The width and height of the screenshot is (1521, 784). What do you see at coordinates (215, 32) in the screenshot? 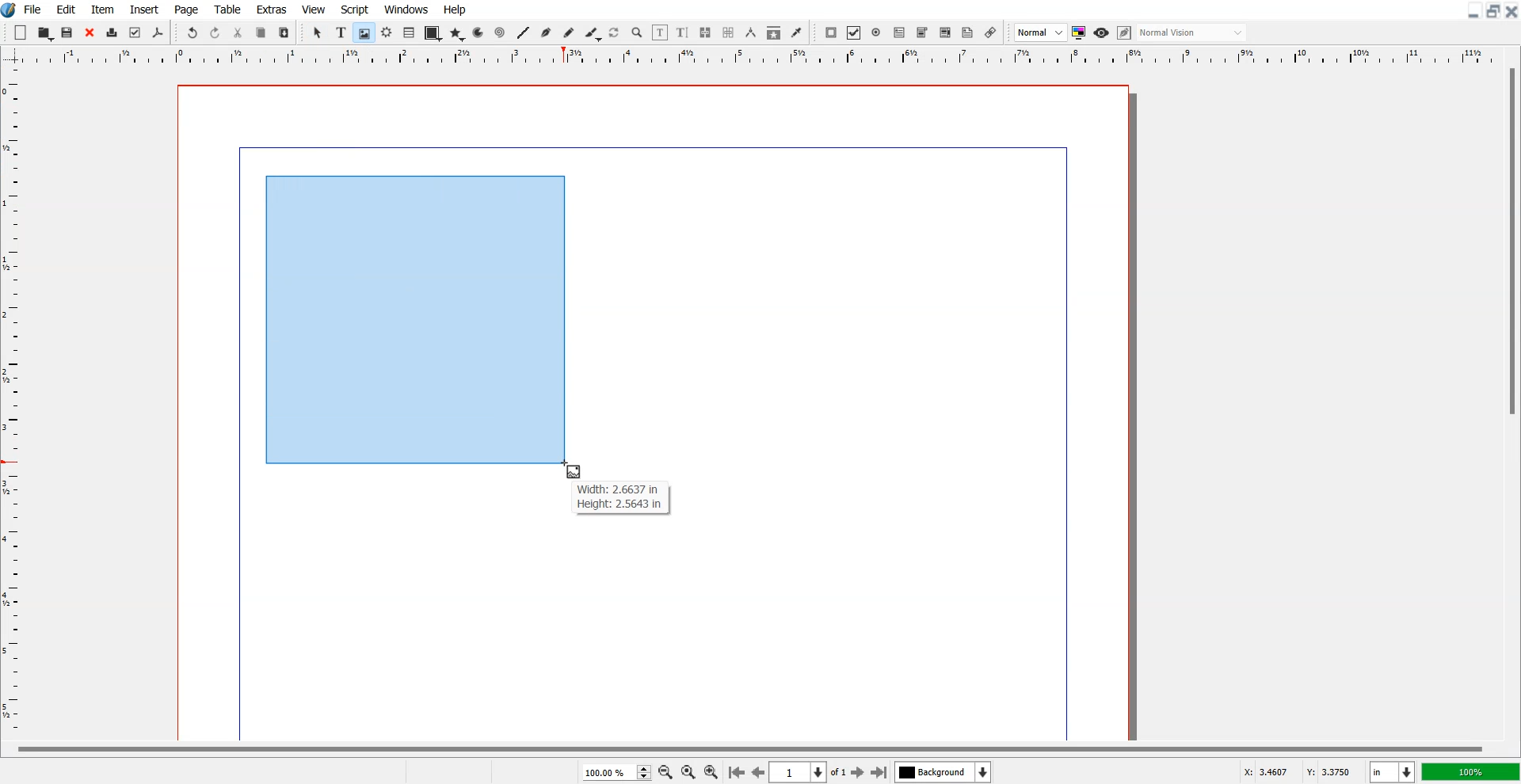
I see `Redo` at bounding box center [215, 32].